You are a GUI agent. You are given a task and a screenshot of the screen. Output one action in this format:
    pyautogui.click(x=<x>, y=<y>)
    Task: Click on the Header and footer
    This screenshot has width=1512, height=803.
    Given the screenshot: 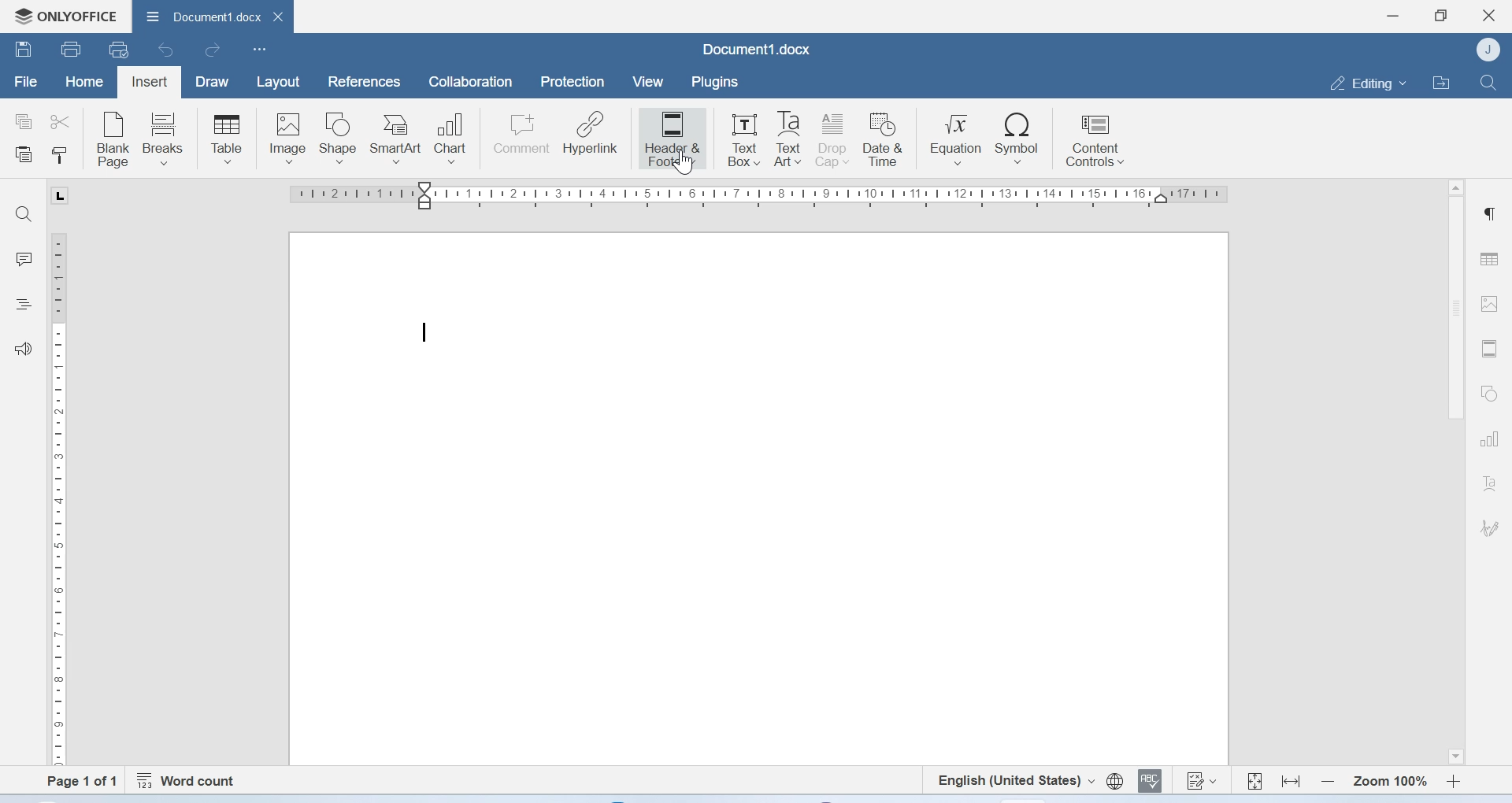 What is the action you would take?
    pyautogui.click(x=1488, y=349)
    